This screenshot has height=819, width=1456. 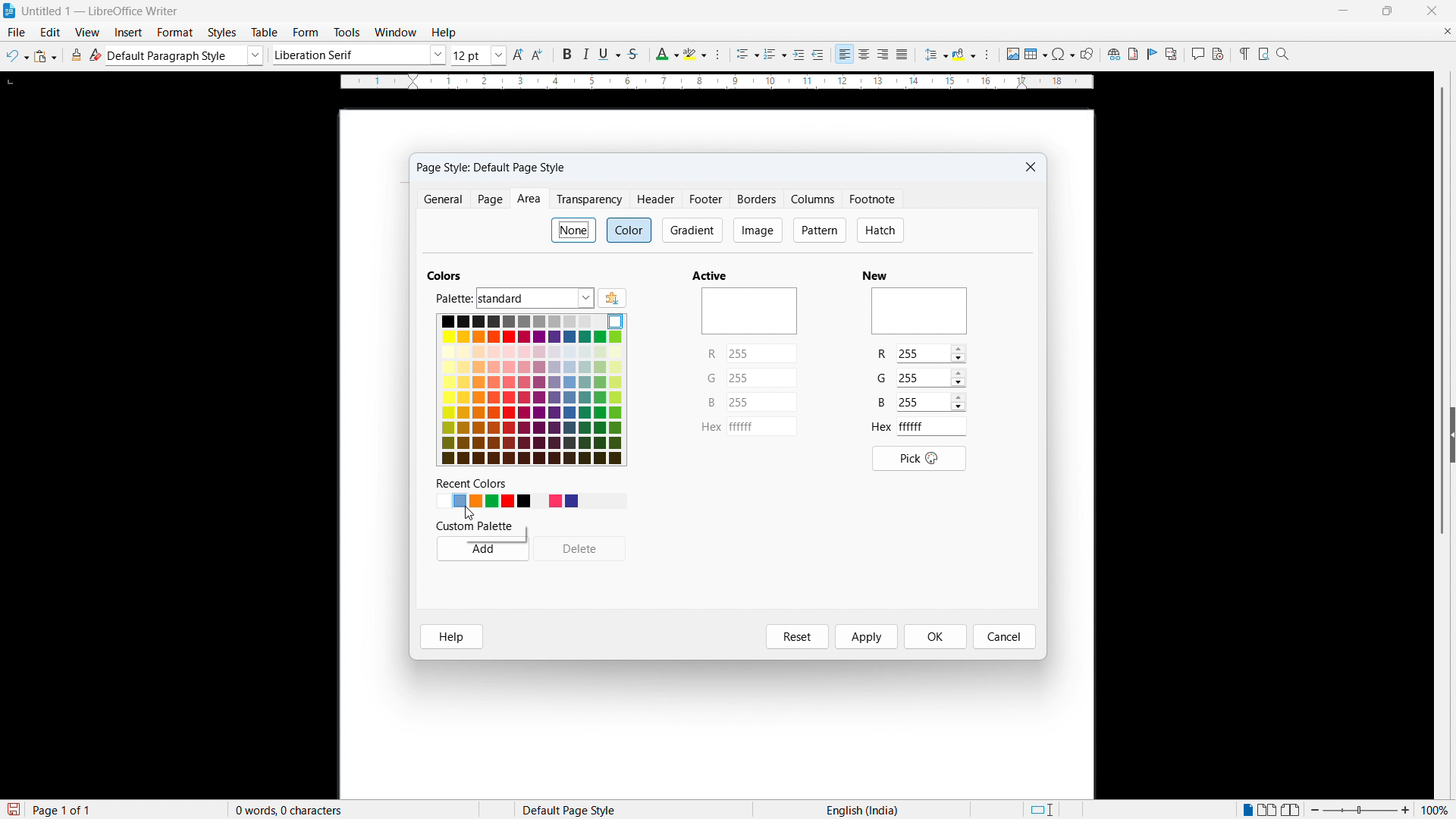 What do you see at coordinates (77, 55) in the screenshot?
I see `Clone formatting ` at bounding box center [77, 55].